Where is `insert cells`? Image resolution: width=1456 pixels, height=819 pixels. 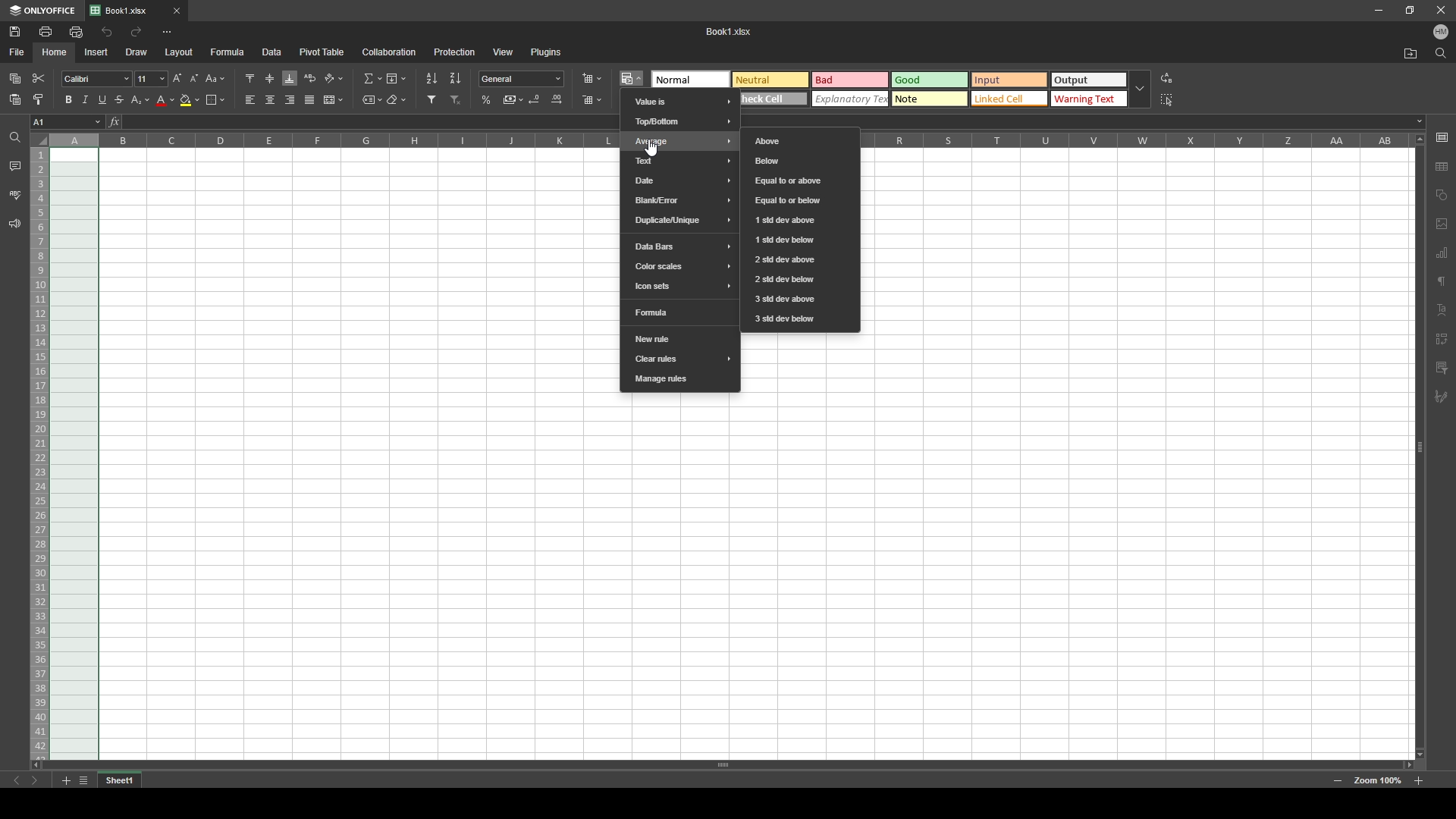 insert cells is located at coordinates (591, 79).